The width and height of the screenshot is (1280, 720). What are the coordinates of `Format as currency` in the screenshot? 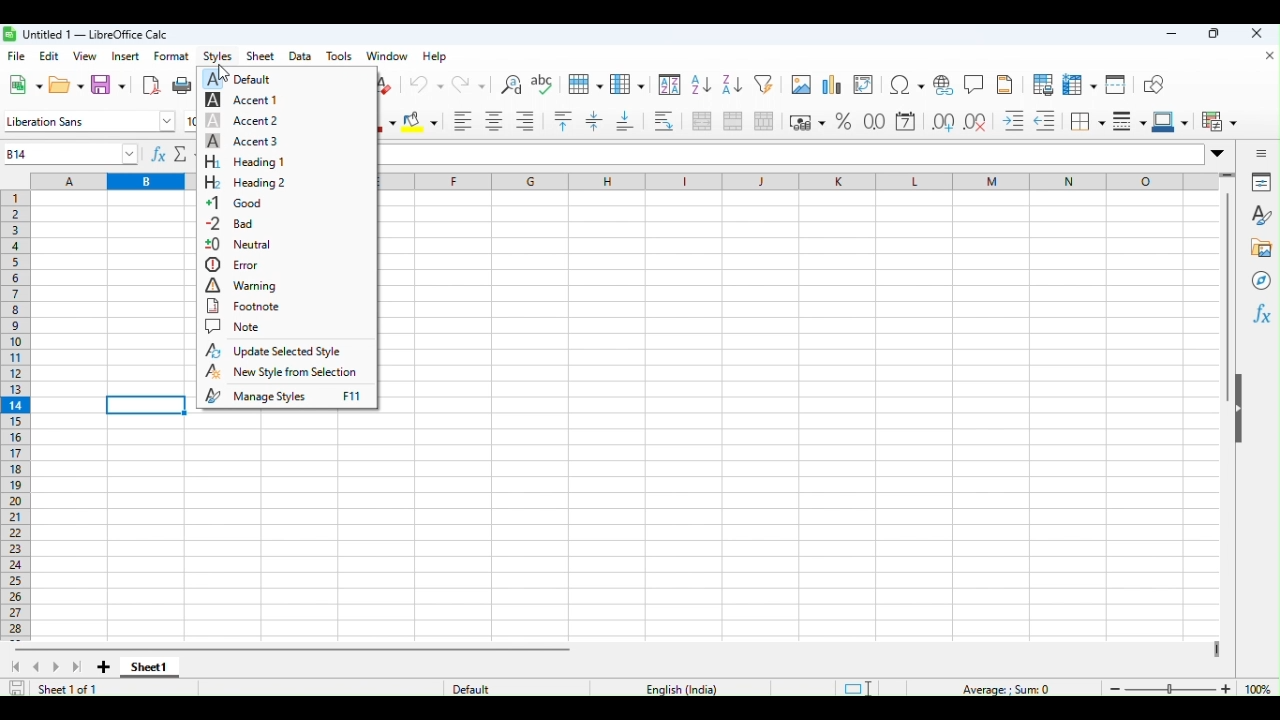 It's located at (805, 118).